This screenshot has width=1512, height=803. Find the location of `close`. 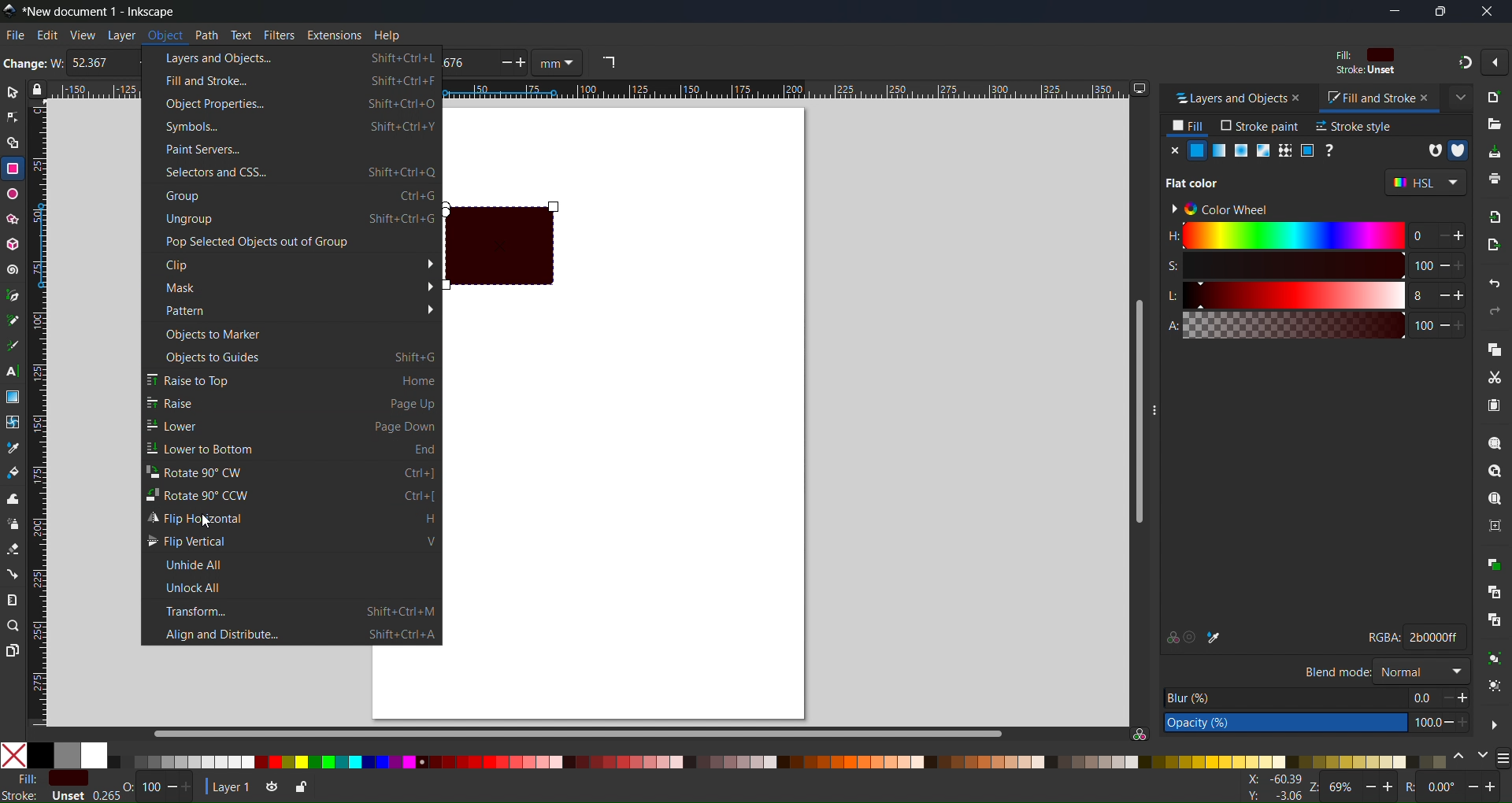

close is located at coordinates (1425, 97).